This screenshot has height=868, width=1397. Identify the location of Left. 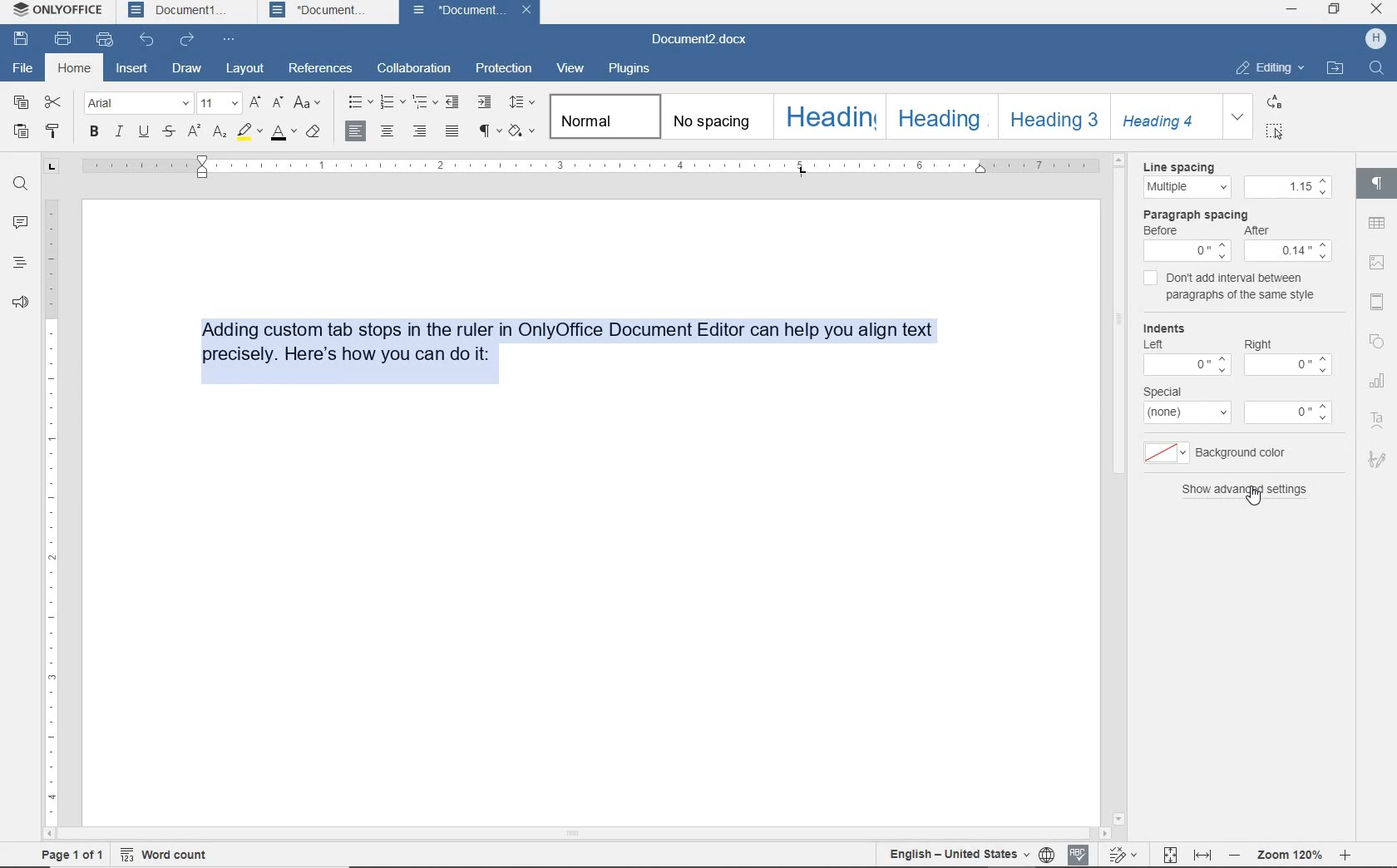
(1158, 345).